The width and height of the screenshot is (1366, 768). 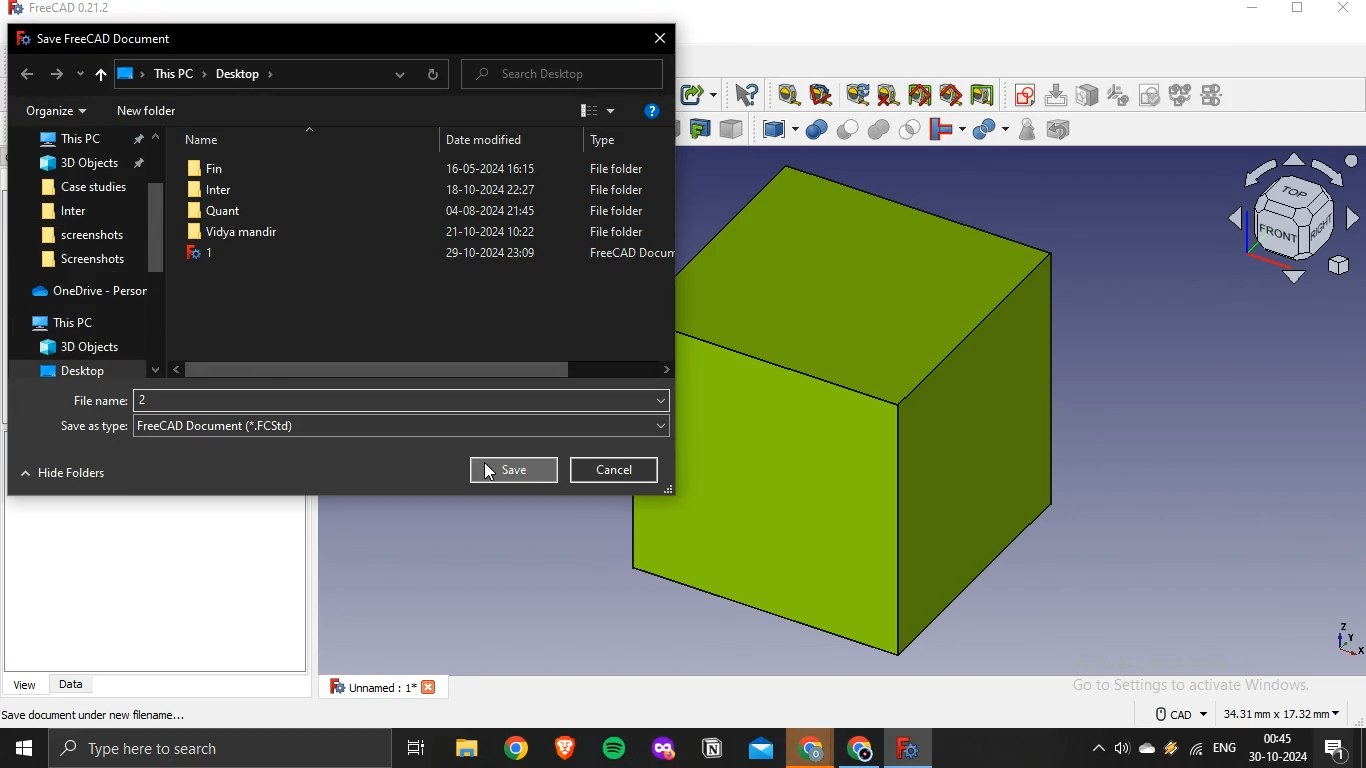 What do you see at coordinates (79, 72) in the screenshot?
I see `recent locations` at bounding box center [79, 72].